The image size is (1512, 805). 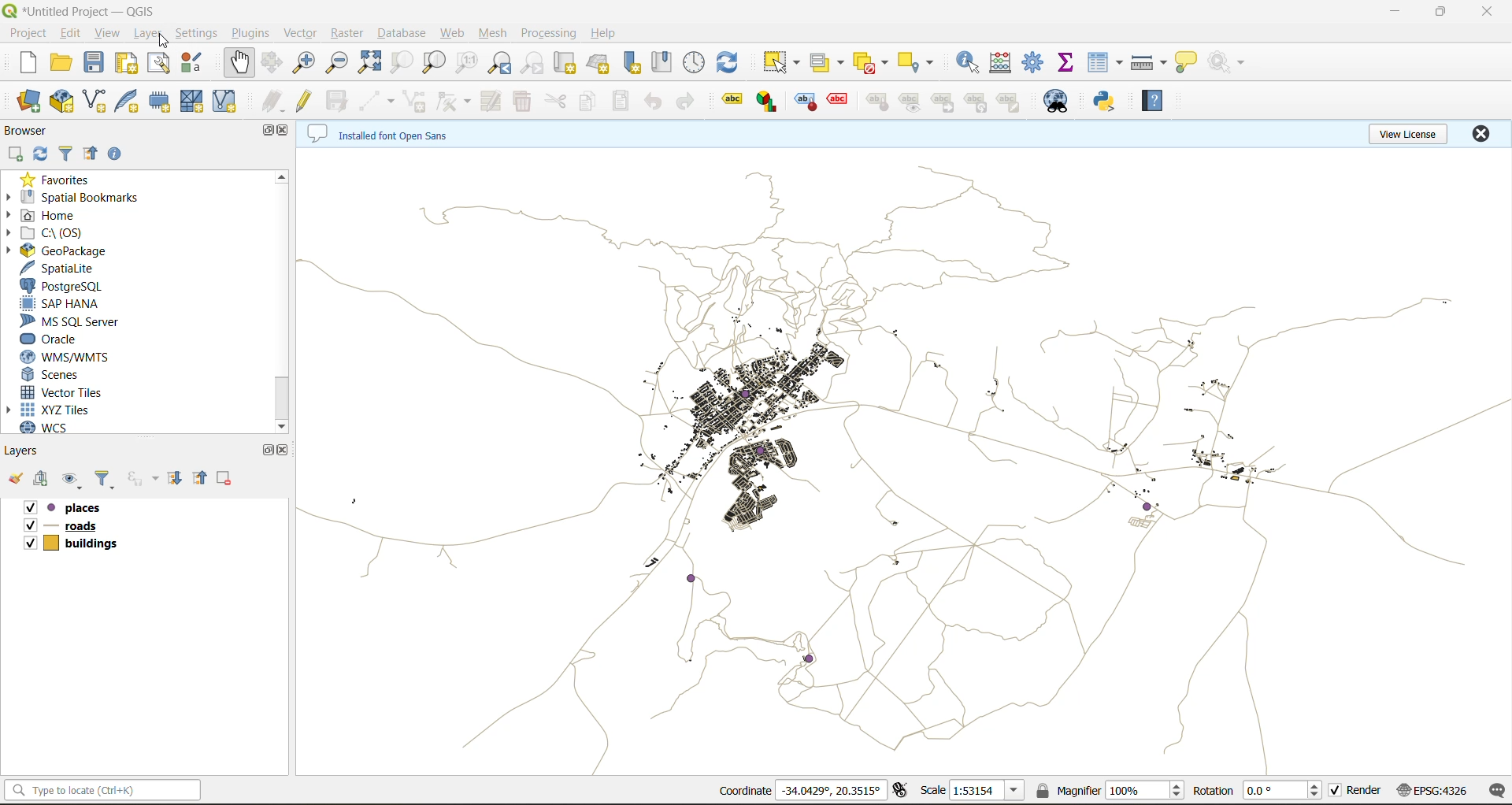 What do you see at coordinates (770, 102) in the screenshot?
I see `label tool 2` at bounding box center [770, 102].